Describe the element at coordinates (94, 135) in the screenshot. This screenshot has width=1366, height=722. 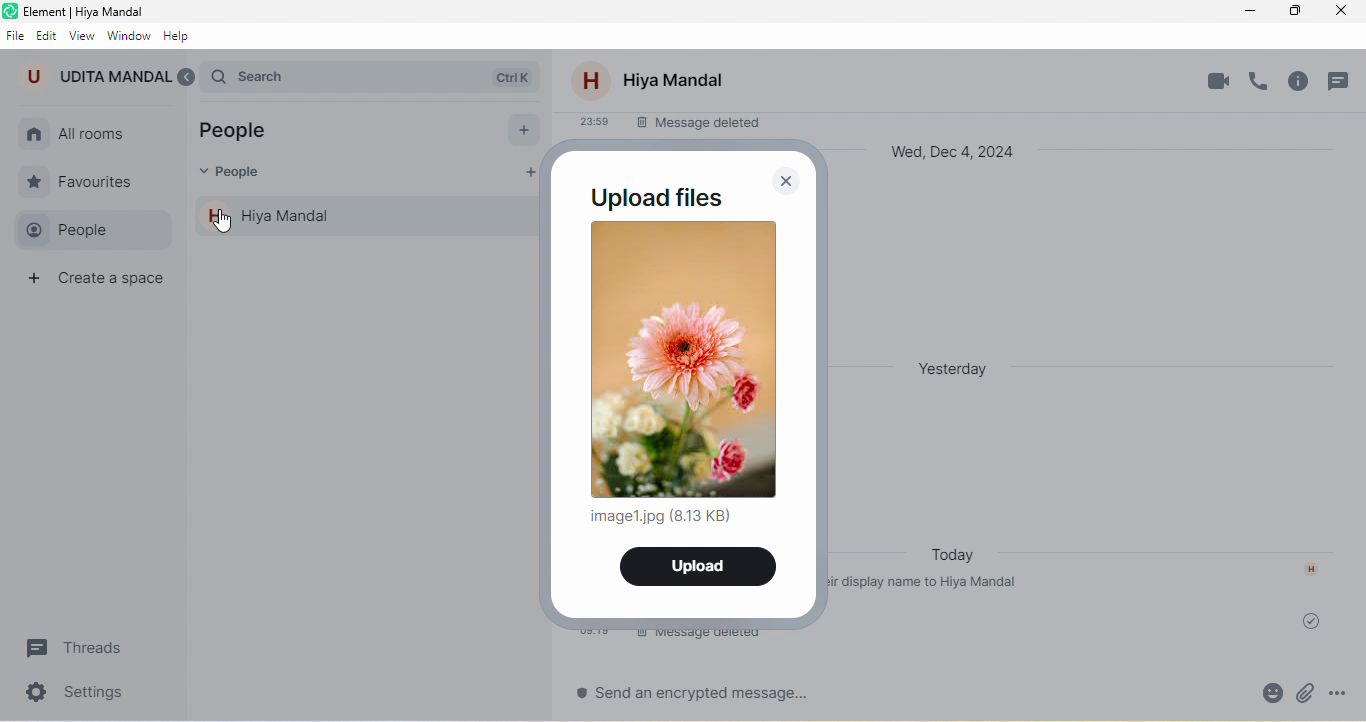
I see `all rooms` at that location.